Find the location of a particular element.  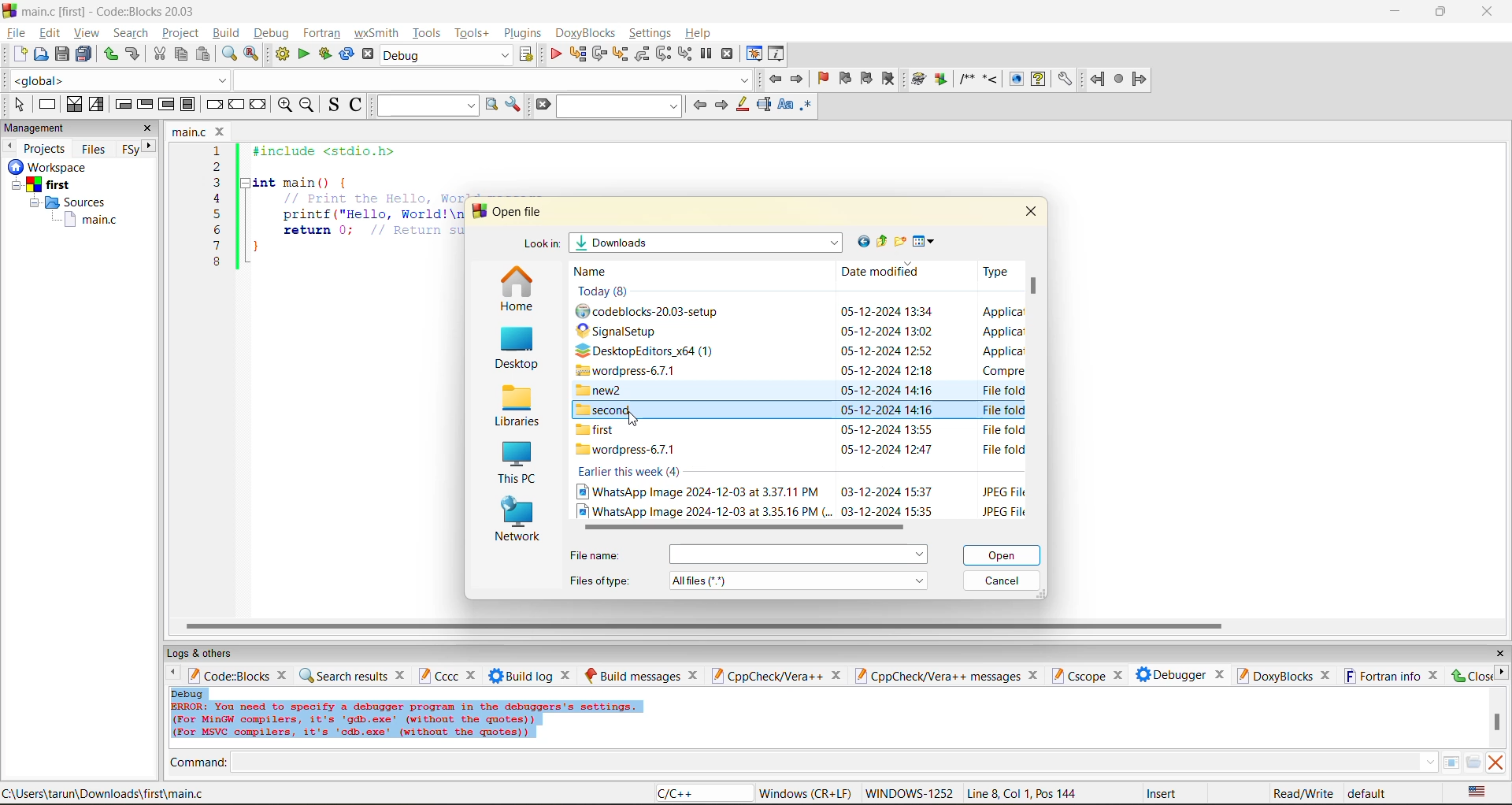

toggle source is located at coordinates (335, 104).